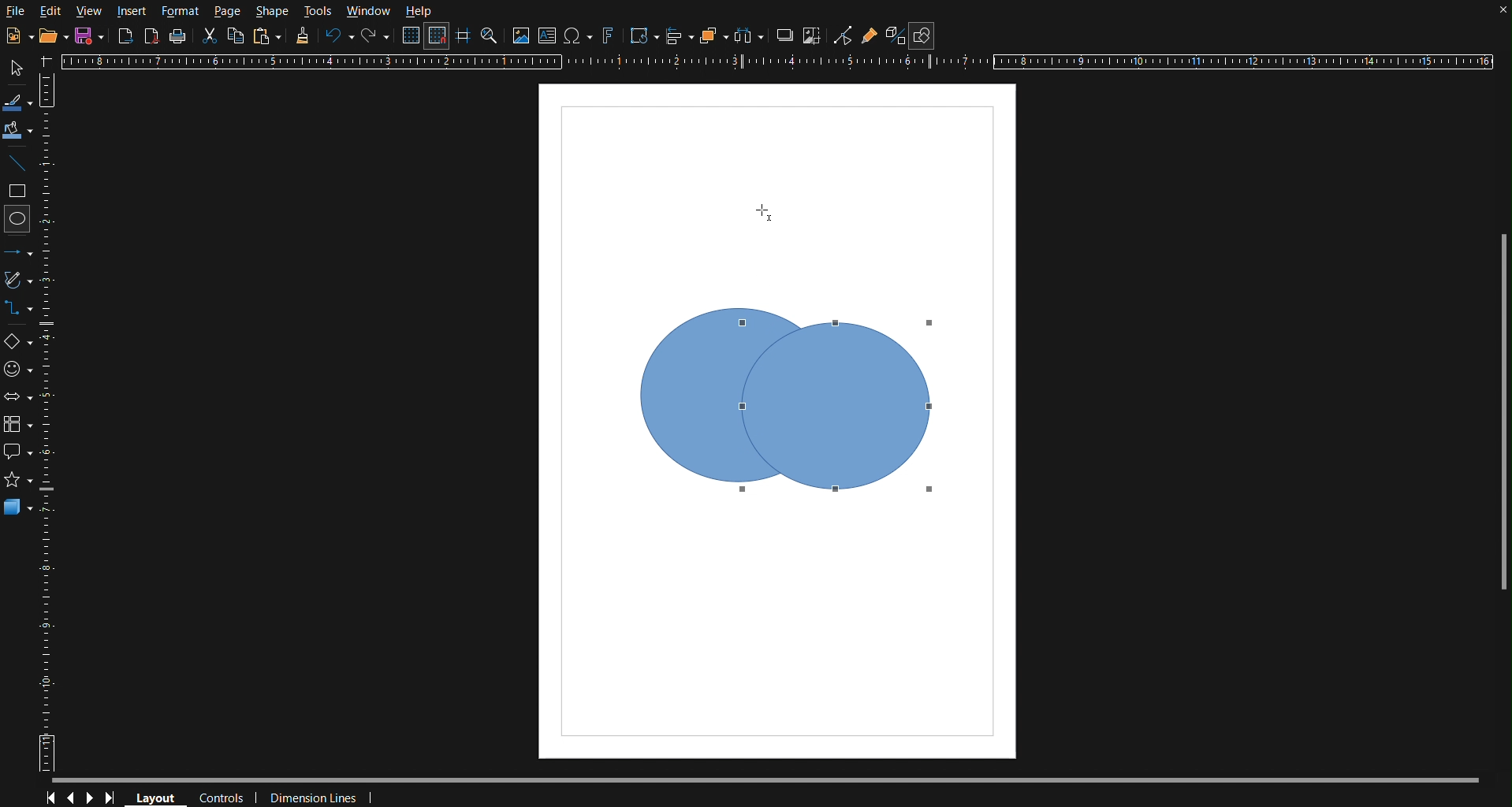 Image resolution: width=1512 pixels, height=807 pixels. I want to click on Scrollbar, so click(778, 775).